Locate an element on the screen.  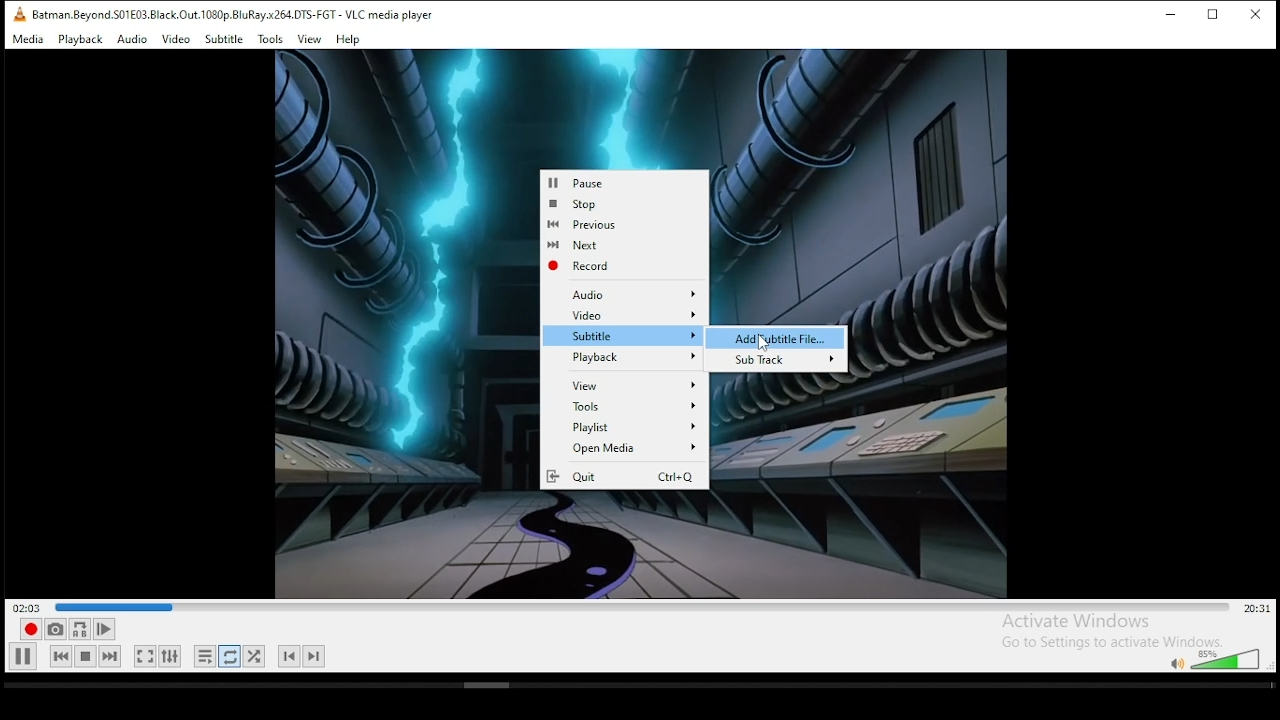
take a snapshot is located at coordinates (55, 630).